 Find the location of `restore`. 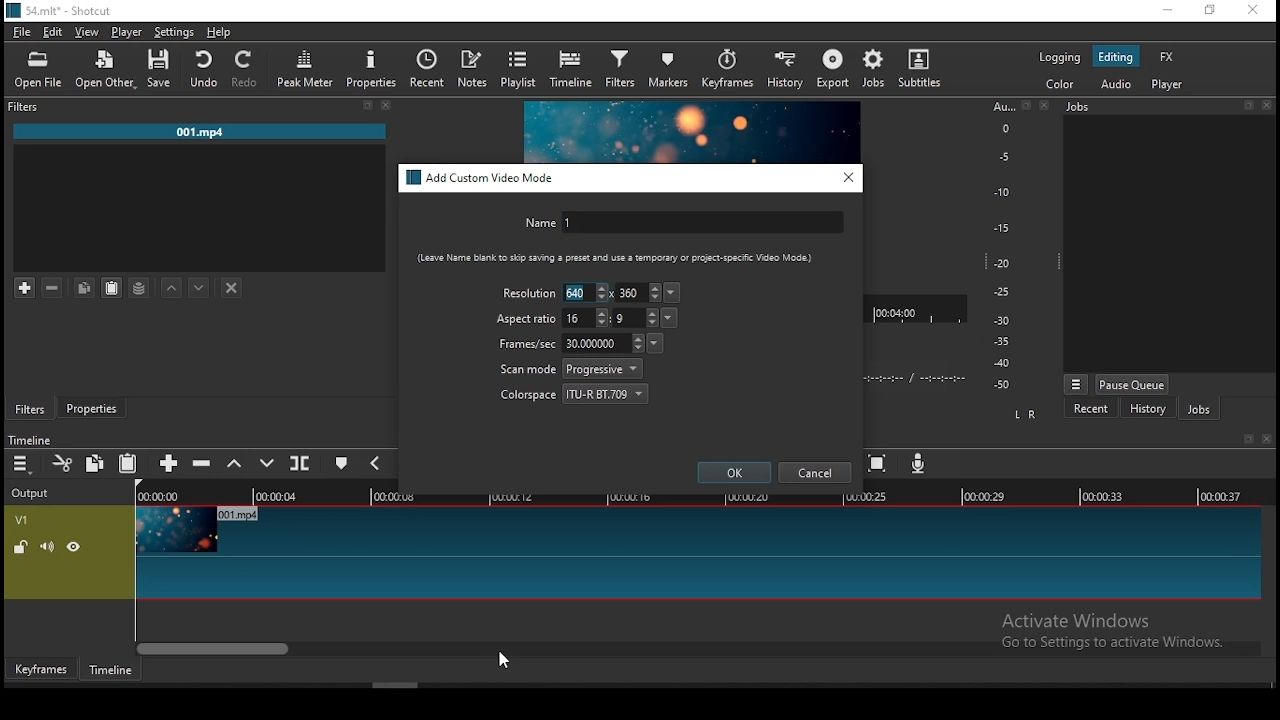

restore is located at coordinates (1026, 106).